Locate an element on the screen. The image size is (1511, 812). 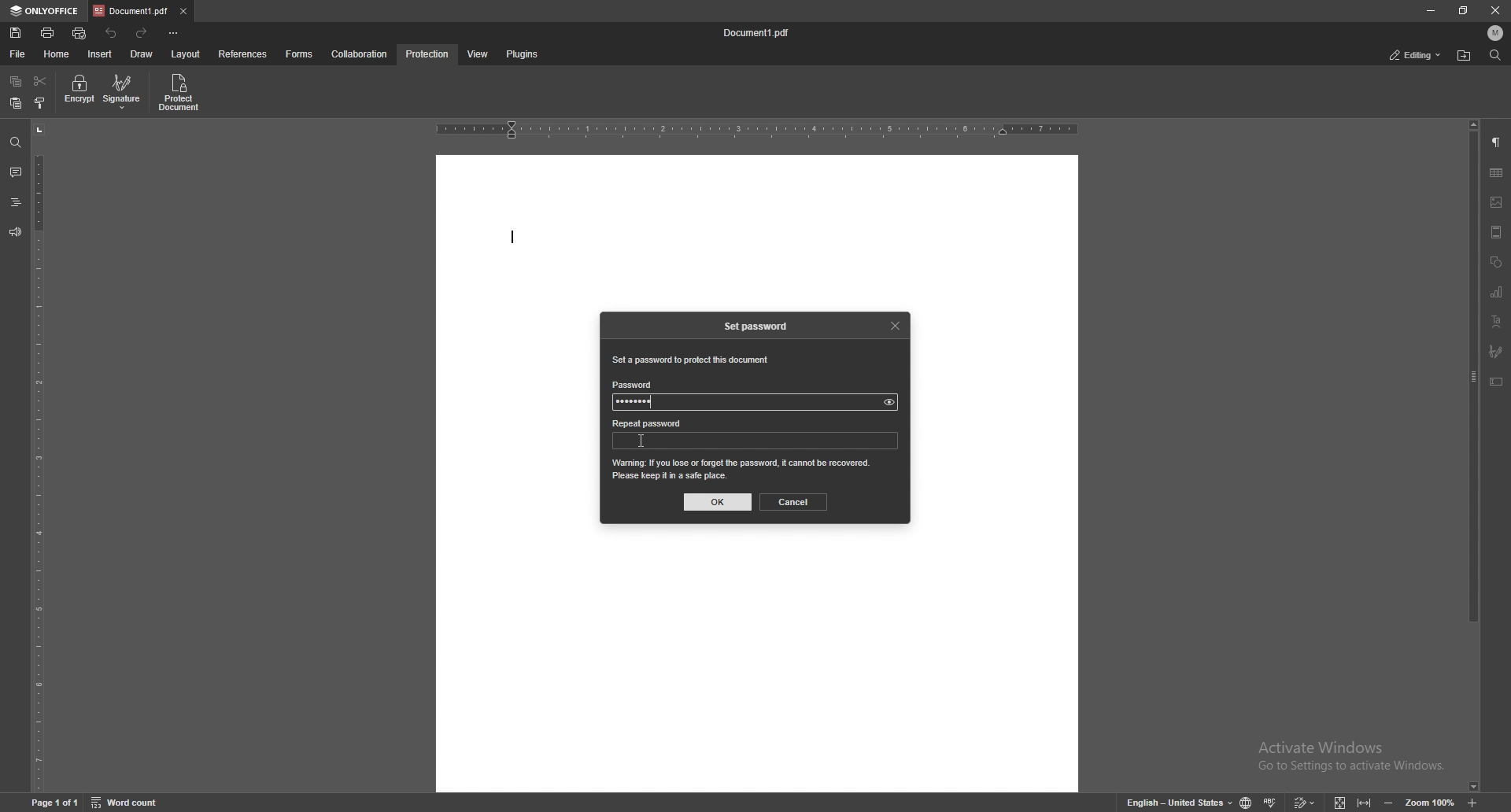
shapes is located at coordinates (1496, 262).